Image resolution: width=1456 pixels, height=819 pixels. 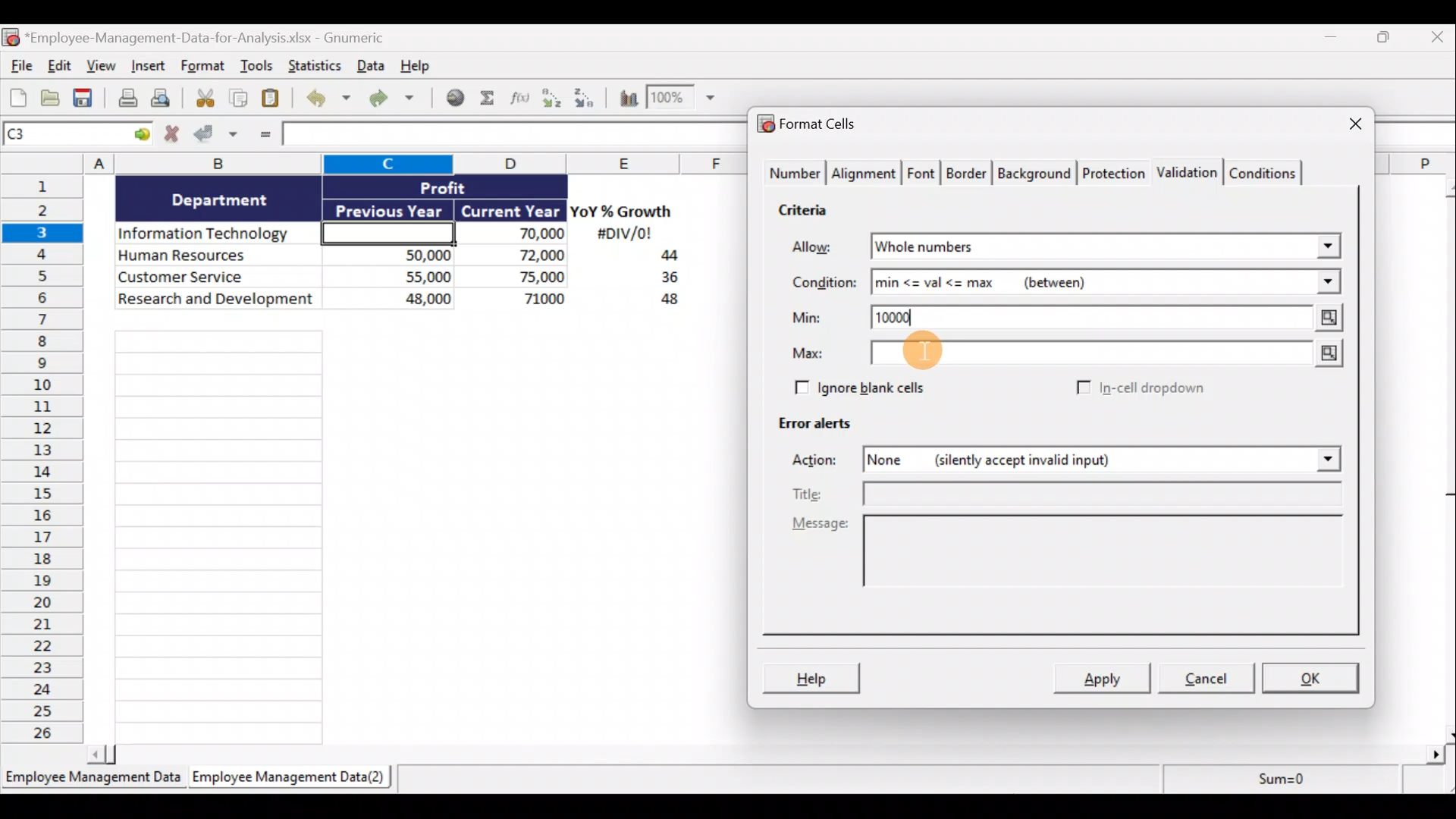 What do you see at coordinates (1324, 462) in the screenshot?
I see `Actions drop down` at bounding box center [1324, 462].